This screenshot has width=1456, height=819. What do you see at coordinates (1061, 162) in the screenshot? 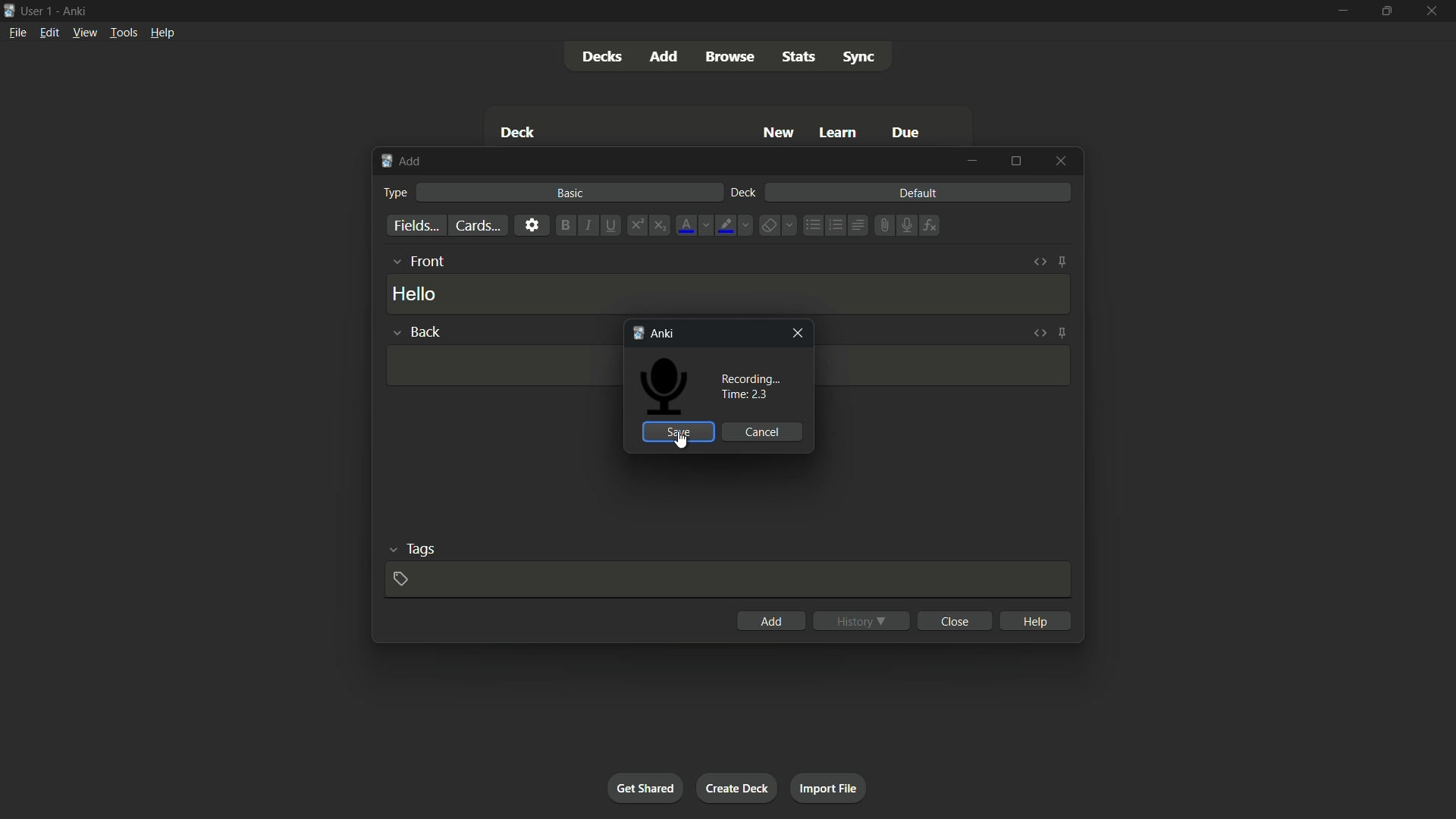
I see `close window` at bounding box center [1061, 162].